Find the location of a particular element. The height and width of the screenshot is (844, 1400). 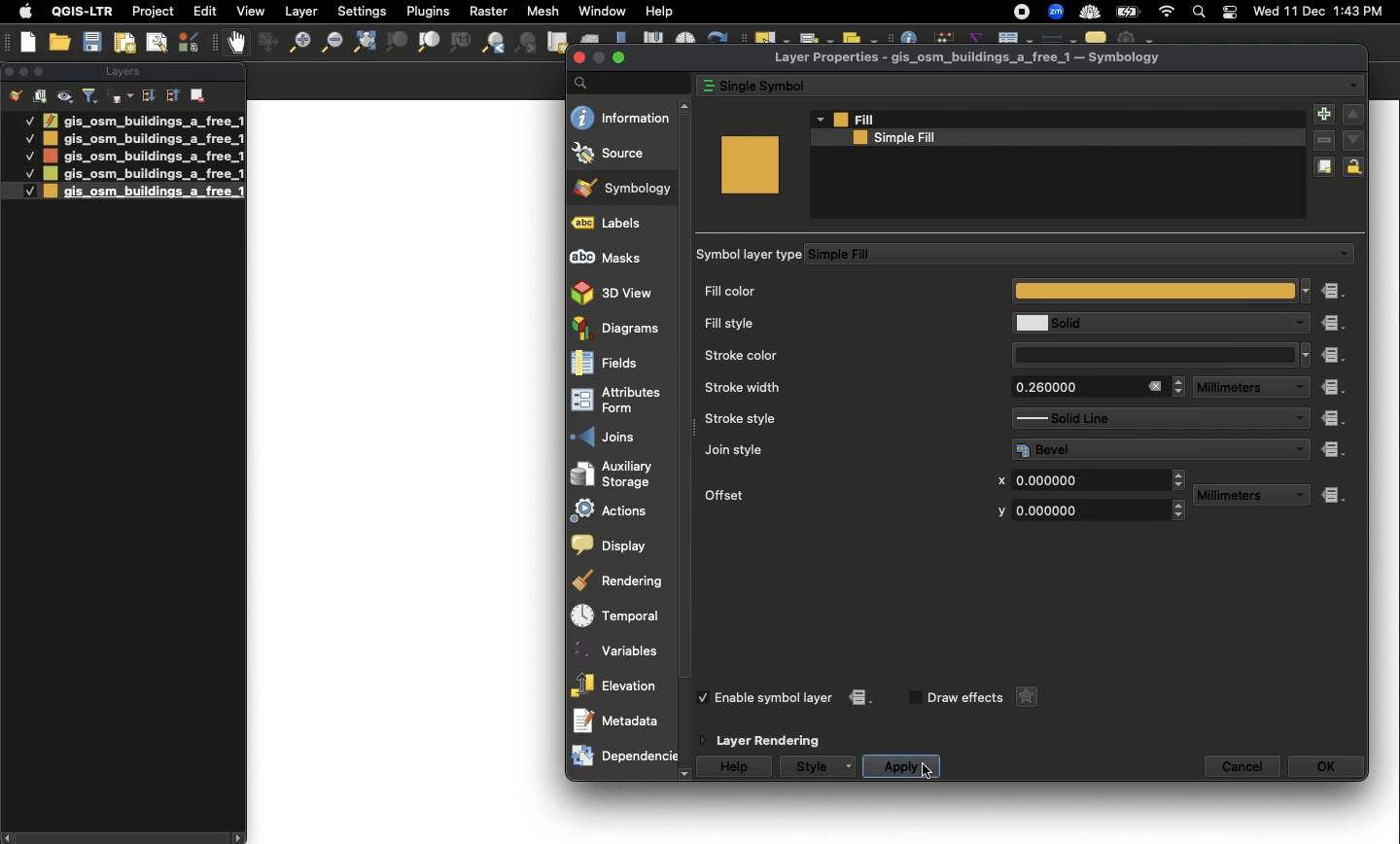

Drop down is located at coordinates (1353, 86).